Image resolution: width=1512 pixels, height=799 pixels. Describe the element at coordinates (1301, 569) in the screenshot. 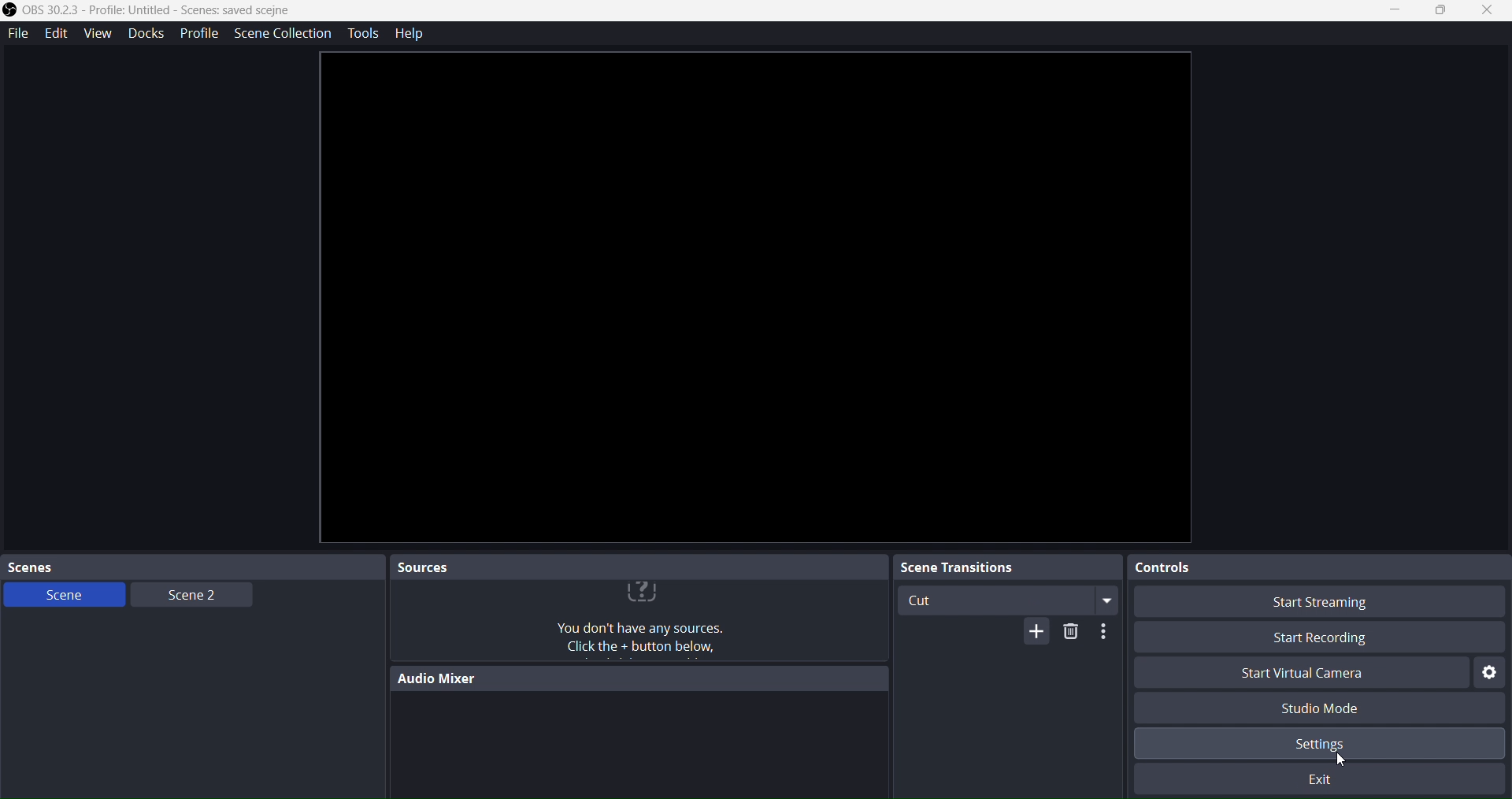

I see `Controls` at that location.